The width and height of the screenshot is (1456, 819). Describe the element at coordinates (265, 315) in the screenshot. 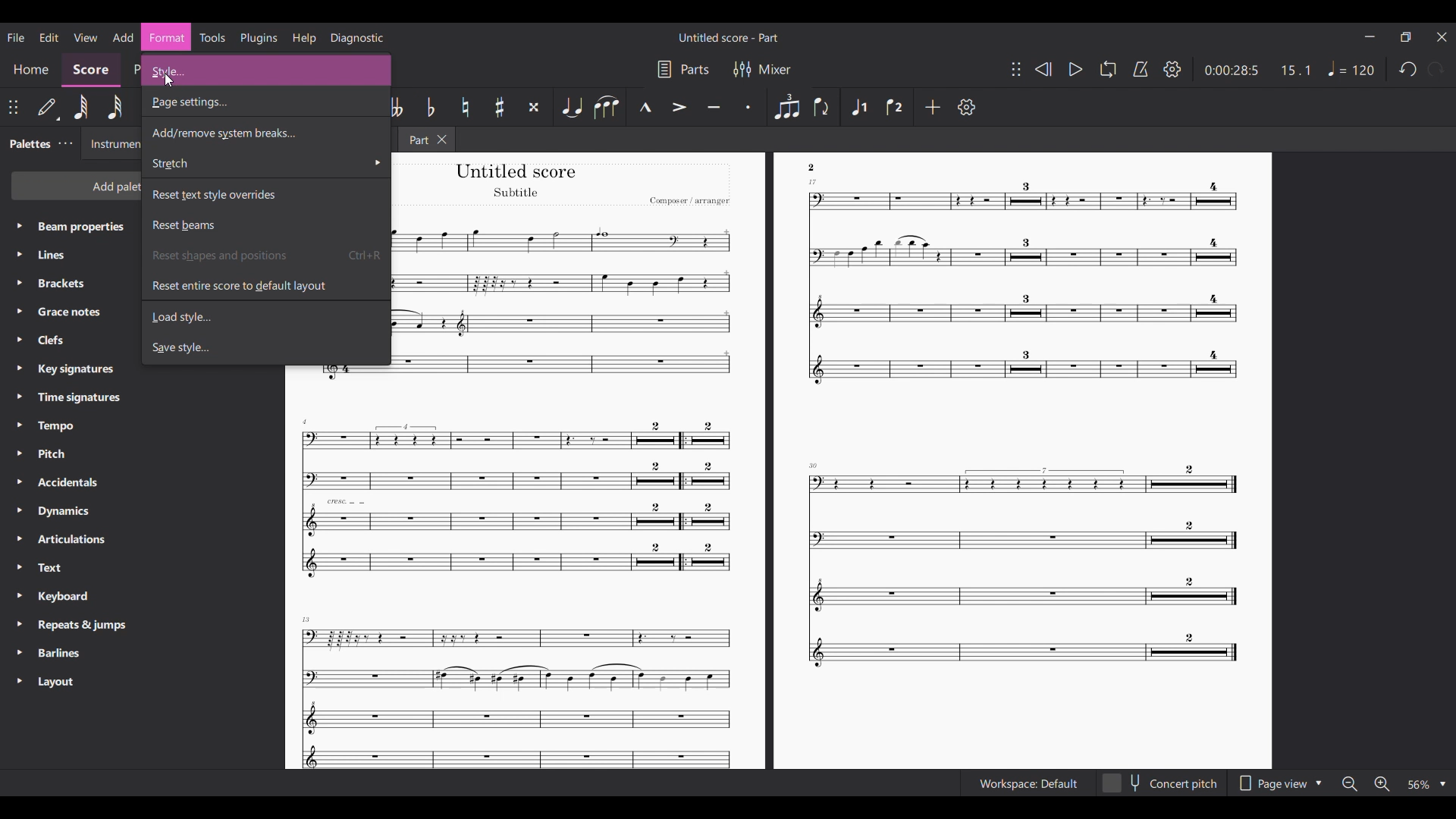

I see `Load style` at that location.